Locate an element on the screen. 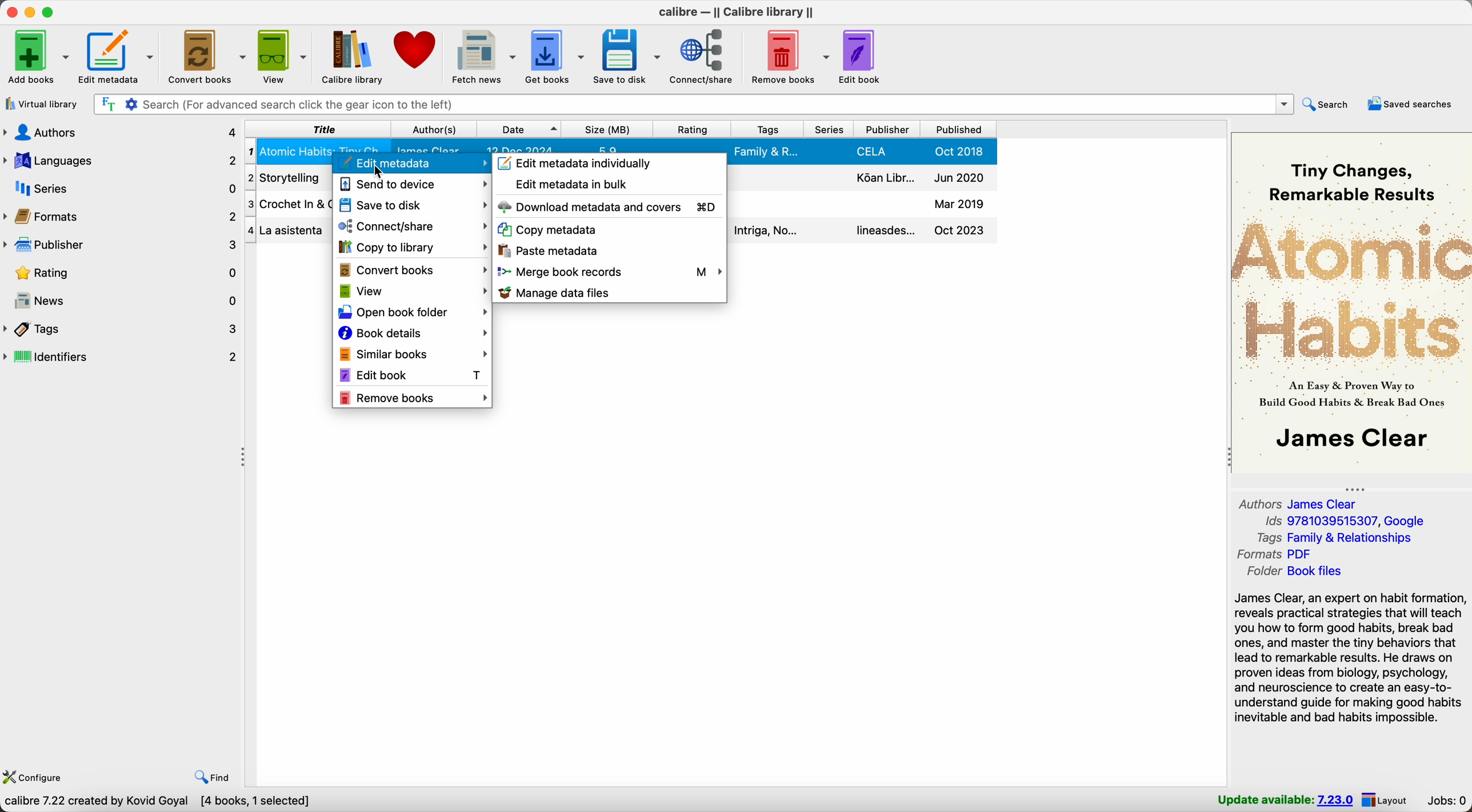 The width and height of the screenshot is (1472, 812). identifiers is located at coordinates (122, 358).